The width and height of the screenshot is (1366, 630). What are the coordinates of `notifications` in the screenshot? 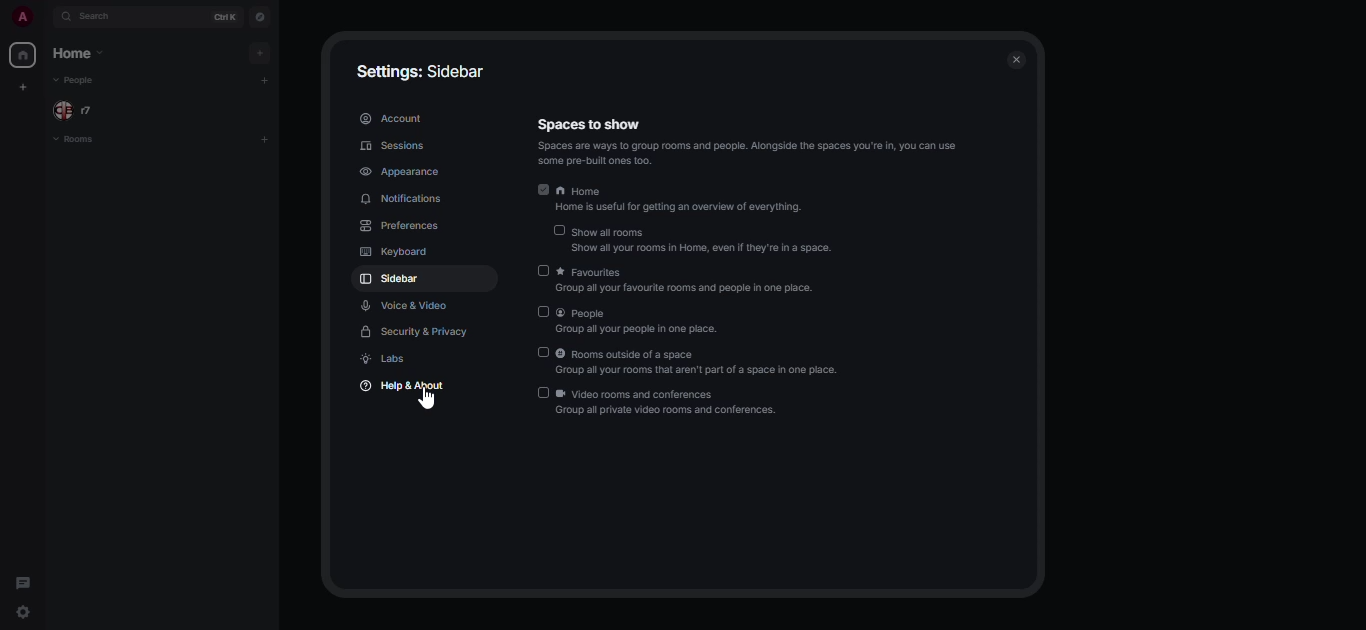 It's located at (404, 199).